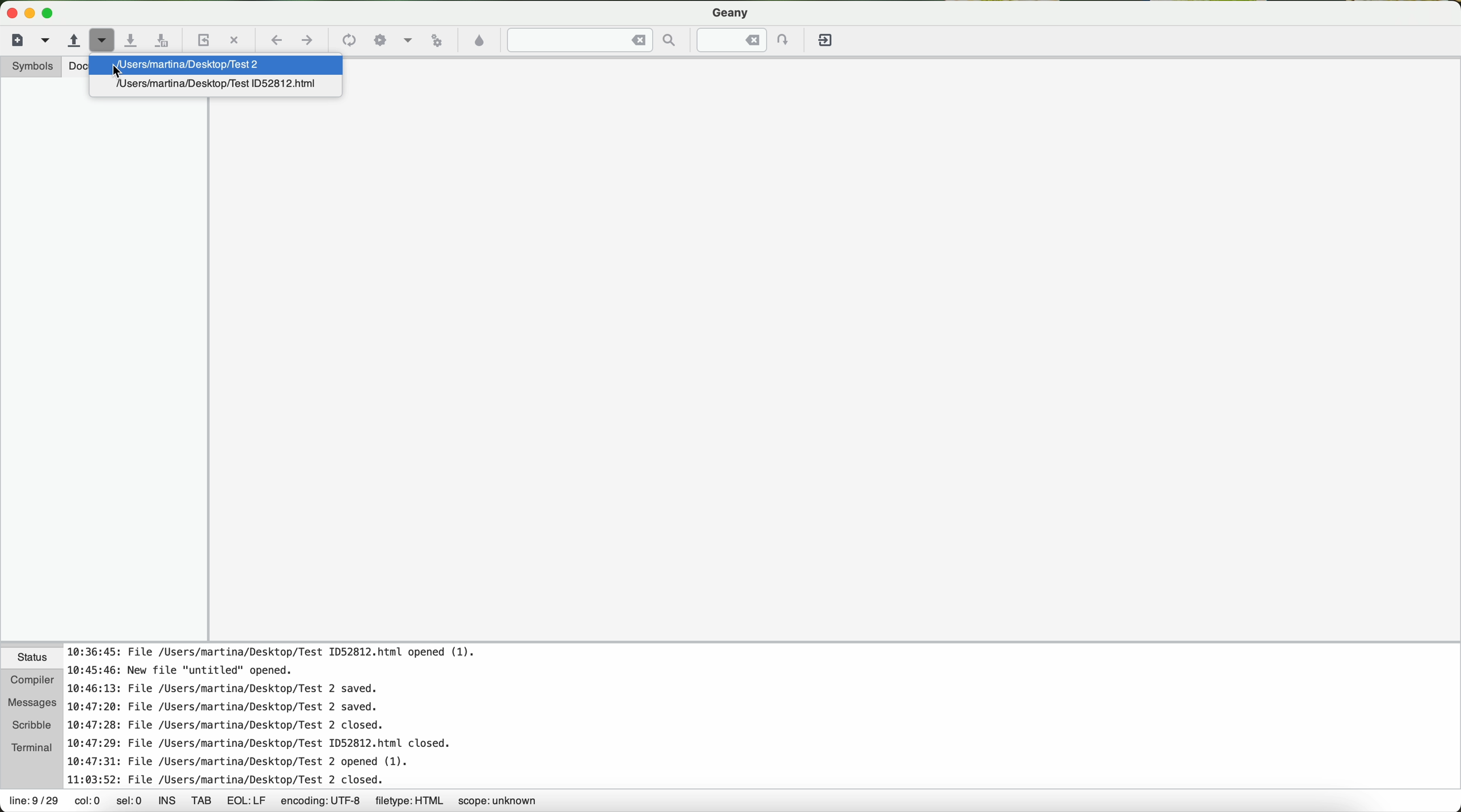  I want to click on find the entered text in the current file, so click(596, 40).